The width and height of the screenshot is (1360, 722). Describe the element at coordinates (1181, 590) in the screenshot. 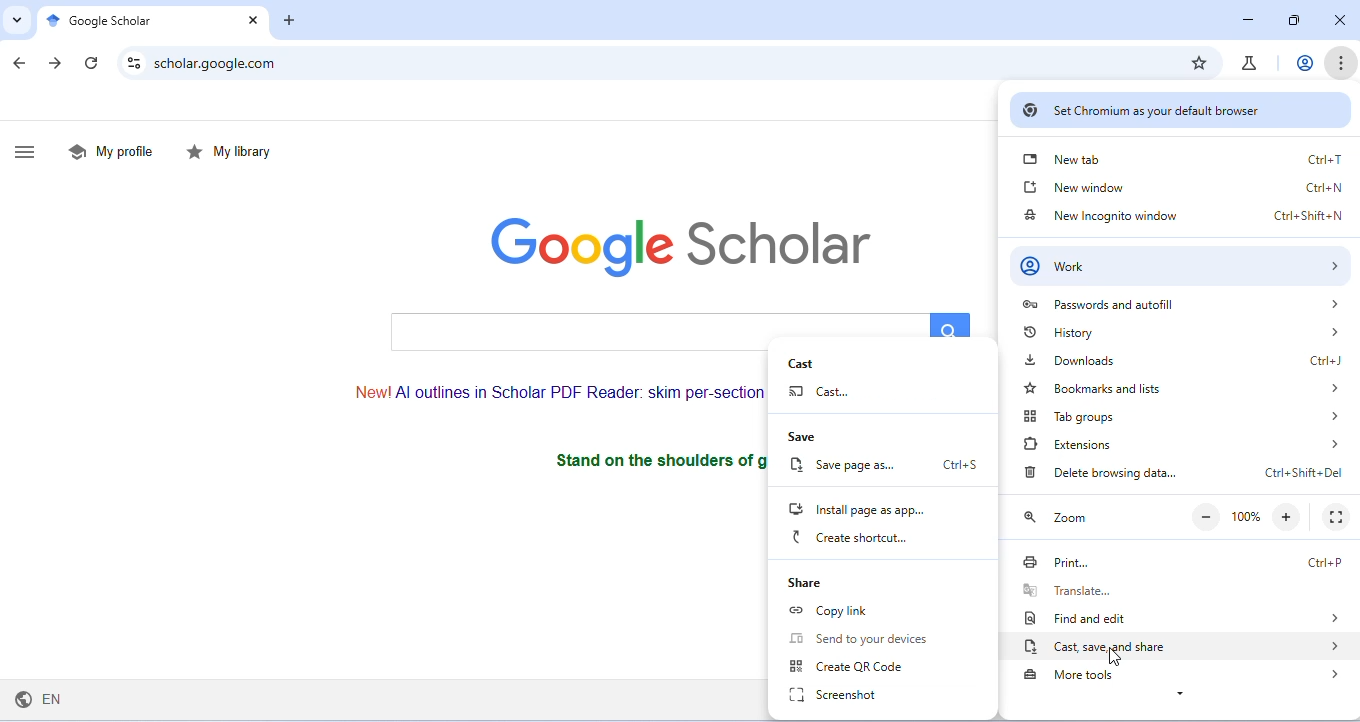

I see `translate` at that location.